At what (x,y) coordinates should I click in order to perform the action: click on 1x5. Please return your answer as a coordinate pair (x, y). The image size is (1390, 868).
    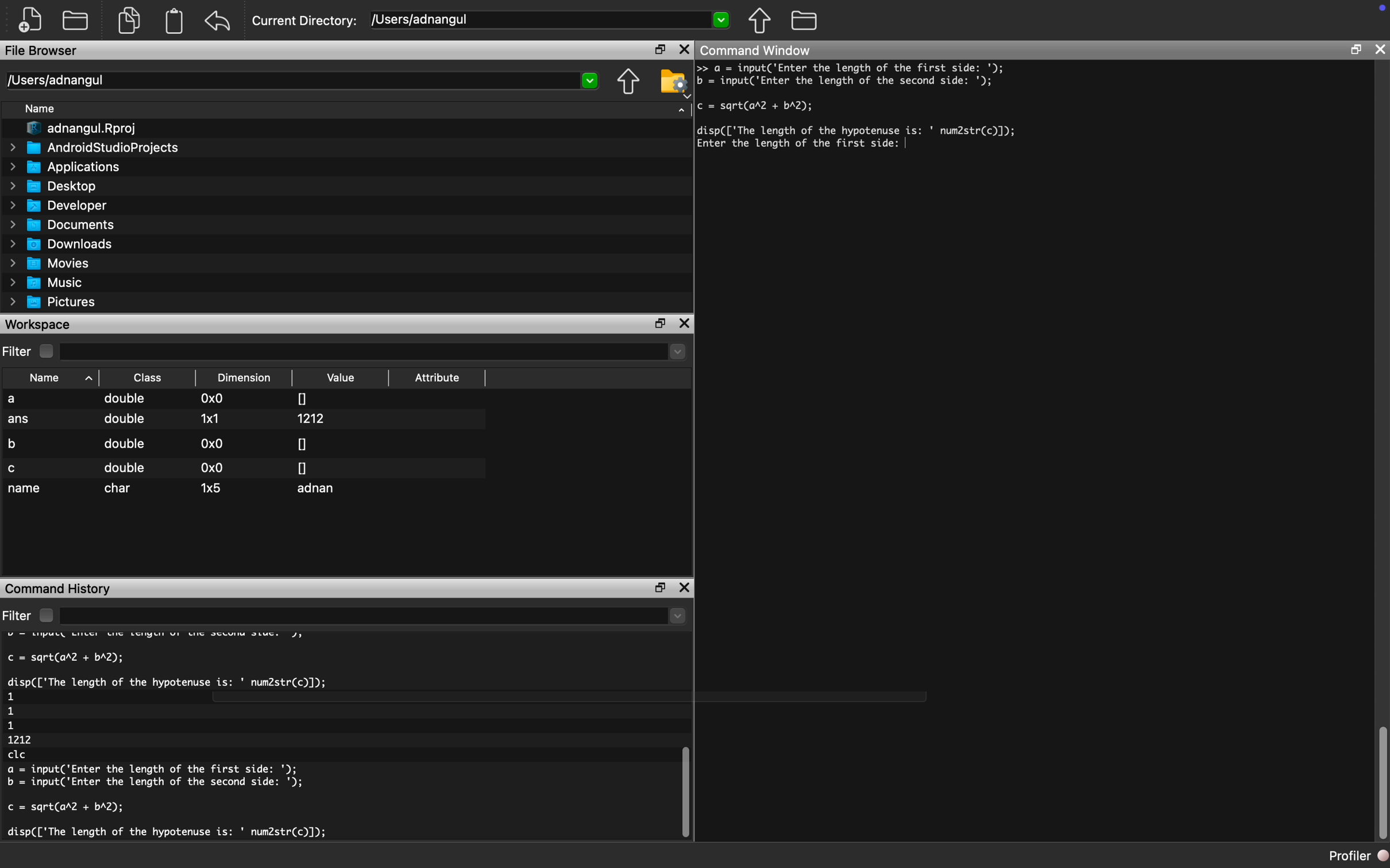
    Looking at the image, I should click on (212, 487).